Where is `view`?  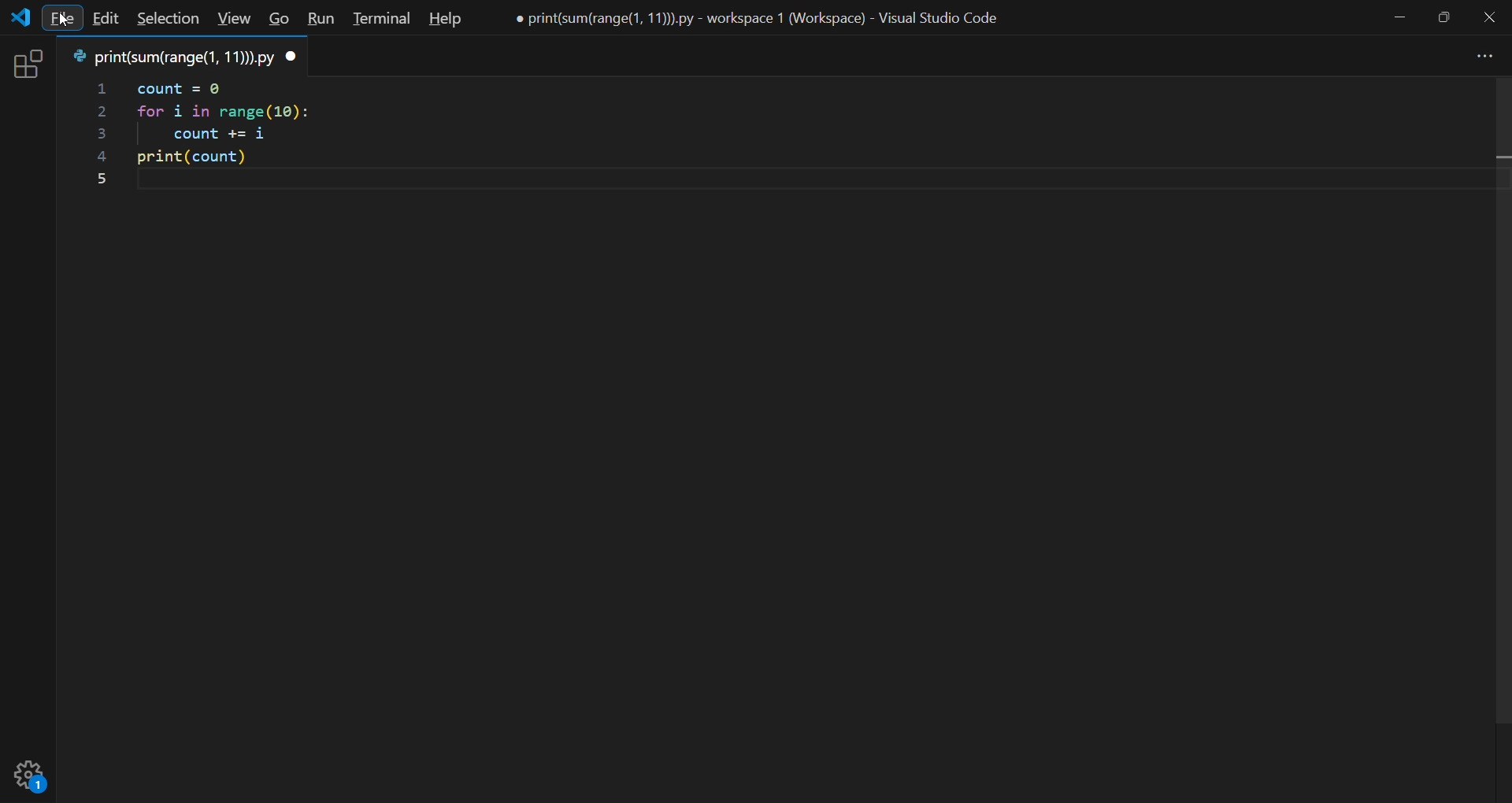 view is located at coordinates (231, 20).